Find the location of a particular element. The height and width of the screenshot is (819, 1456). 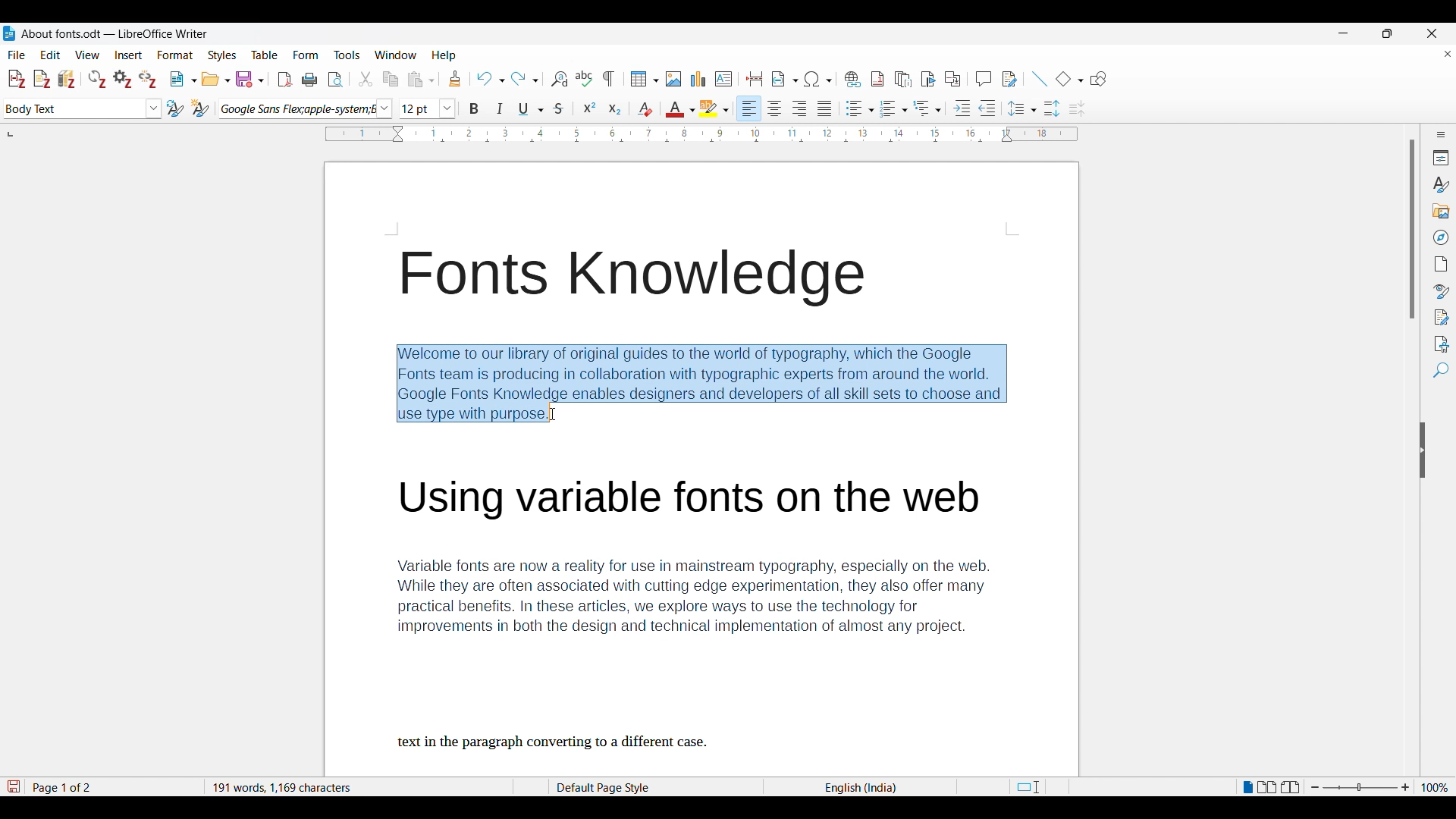

Superscript is located at coordinates (589, 107).